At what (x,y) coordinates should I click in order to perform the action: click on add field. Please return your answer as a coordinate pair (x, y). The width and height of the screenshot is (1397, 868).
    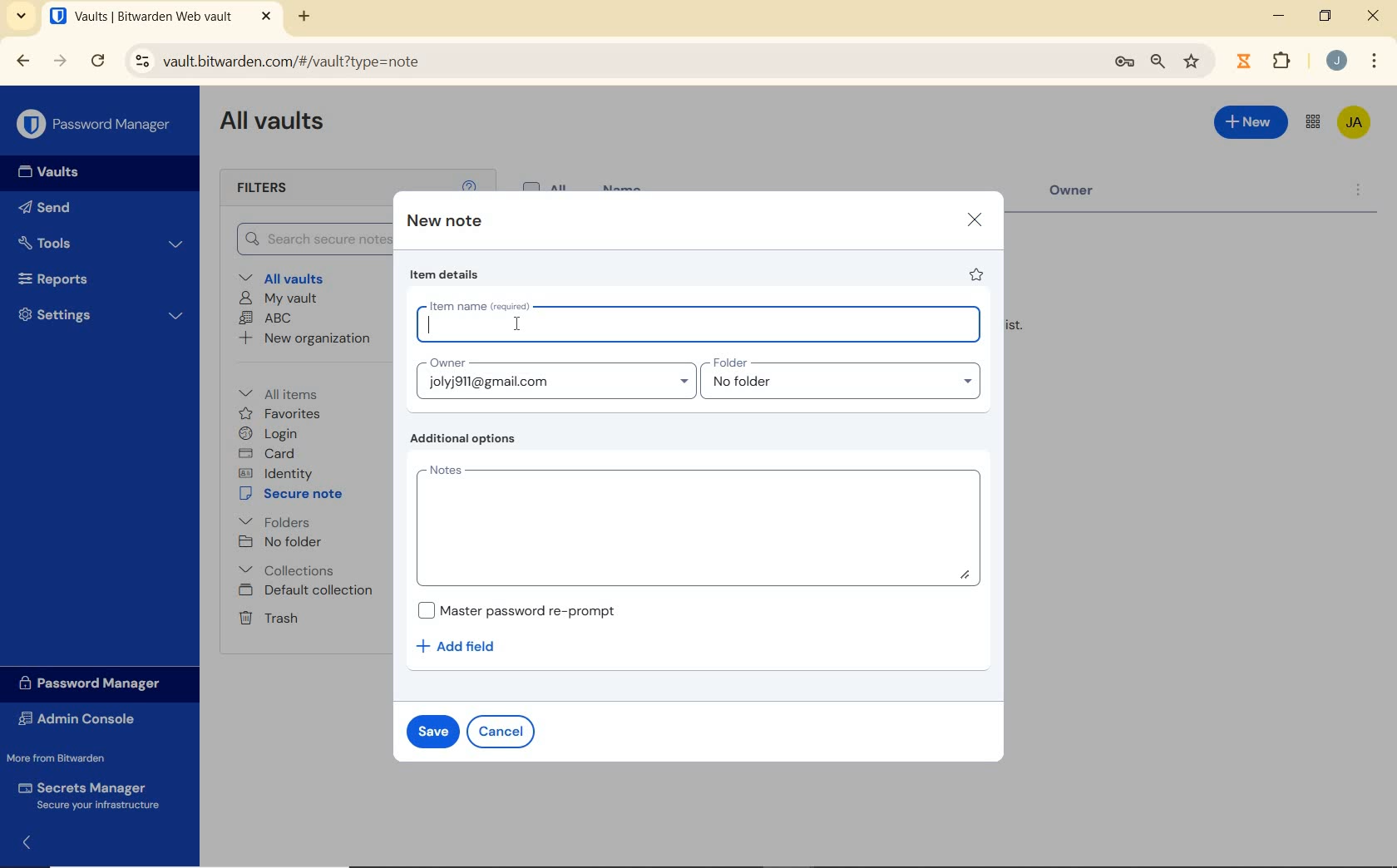
    Looking at the image, I should click on (467, 647).